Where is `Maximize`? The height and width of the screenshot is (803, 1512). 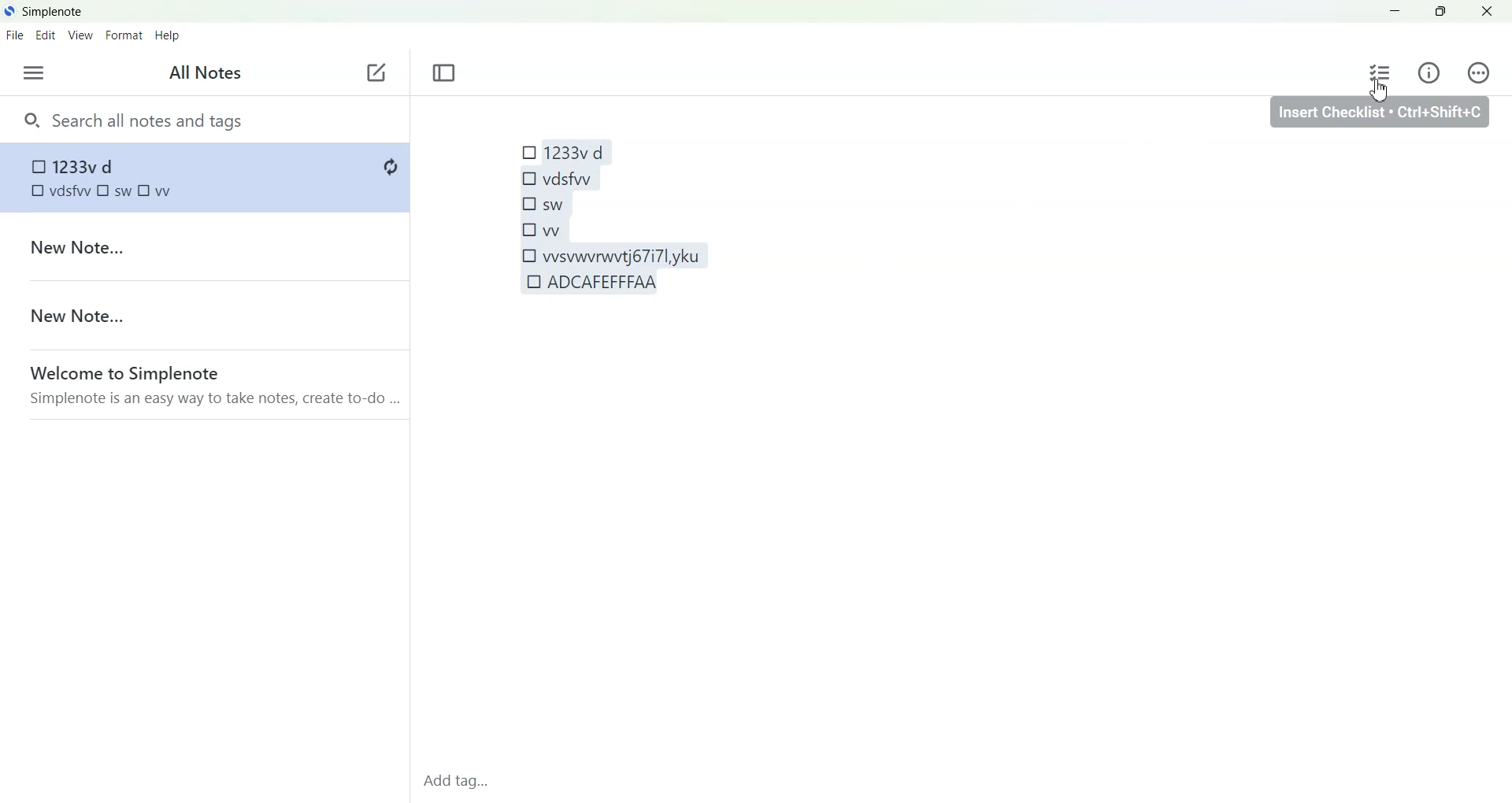 Maximize is located at coordinates (1439, 12).